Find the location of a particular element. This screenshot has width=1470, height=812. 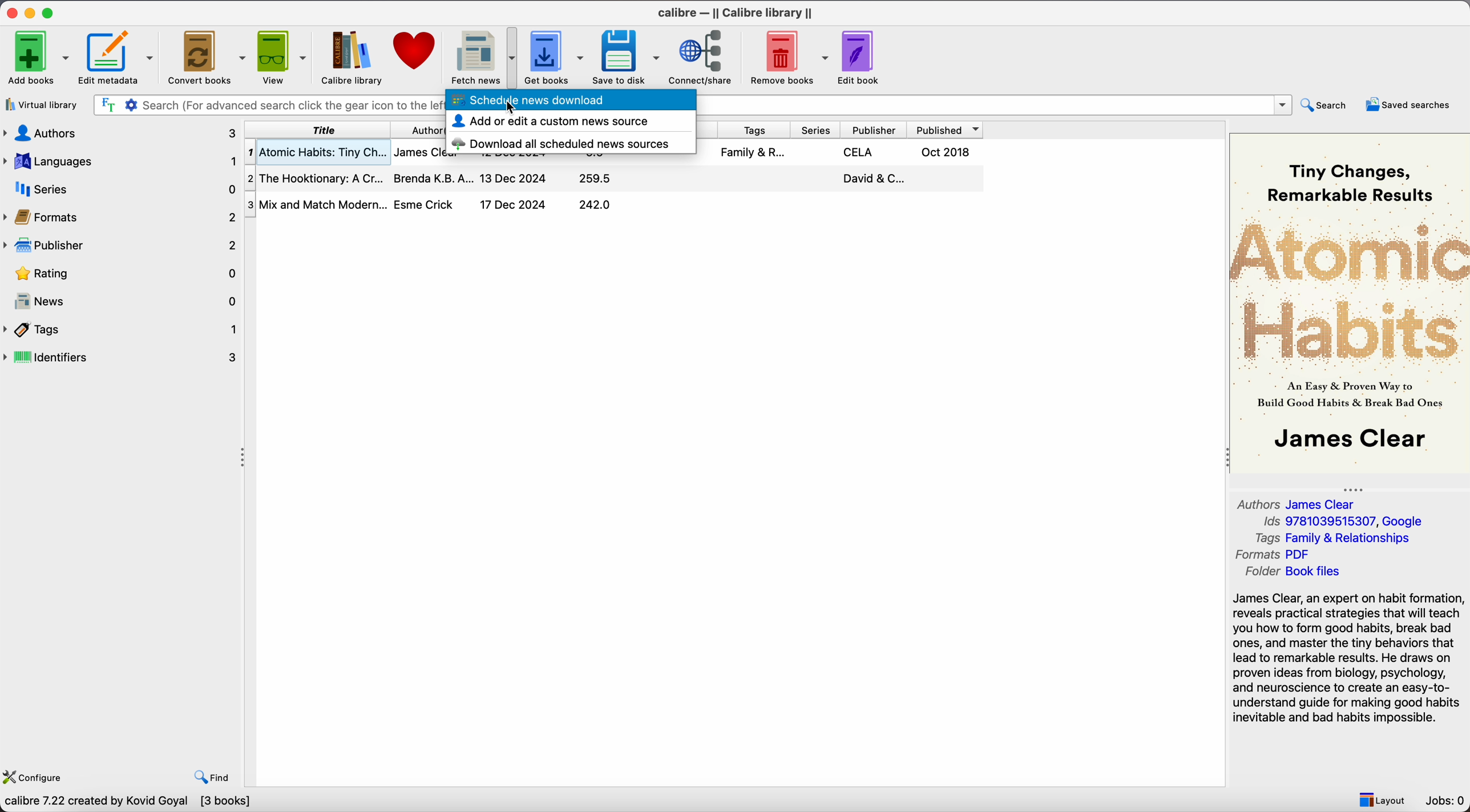

maximize is located at coordinates (49, 11).